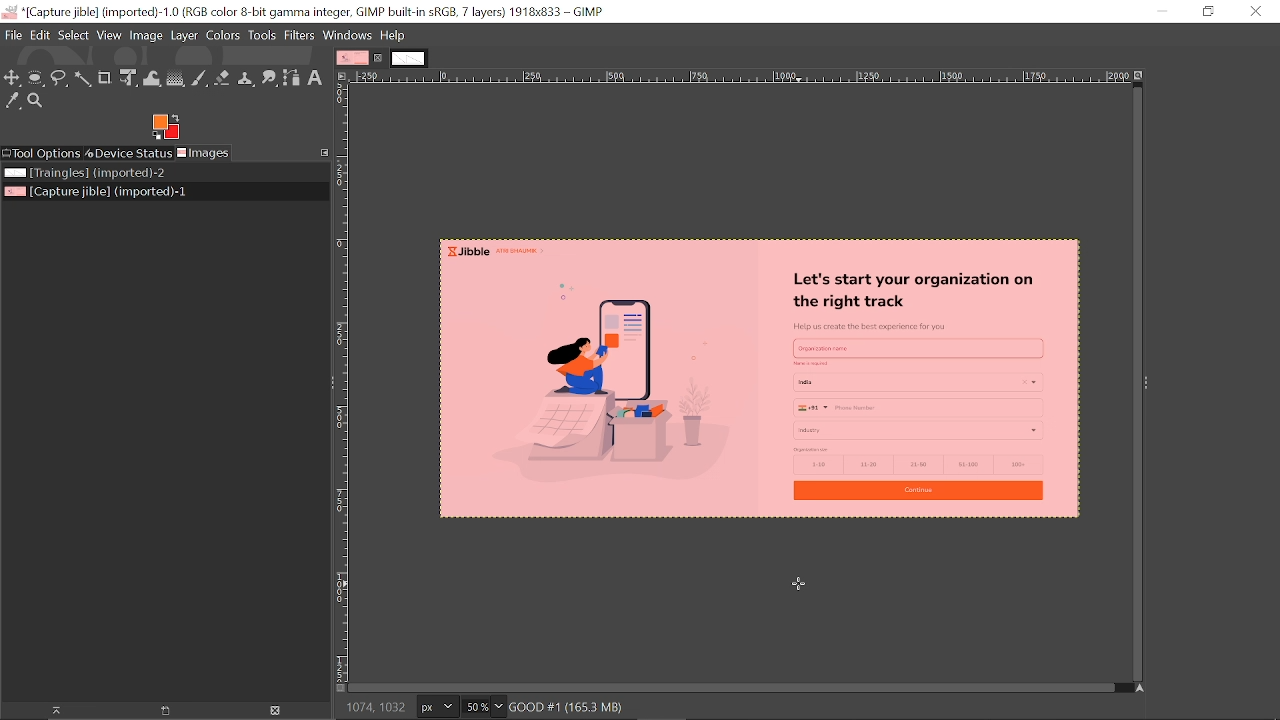 The height and width of the screenshot is (720, 1280). Describe the element at coordinates (1155, 11) in the screenshot. I see `minimize` at that location.